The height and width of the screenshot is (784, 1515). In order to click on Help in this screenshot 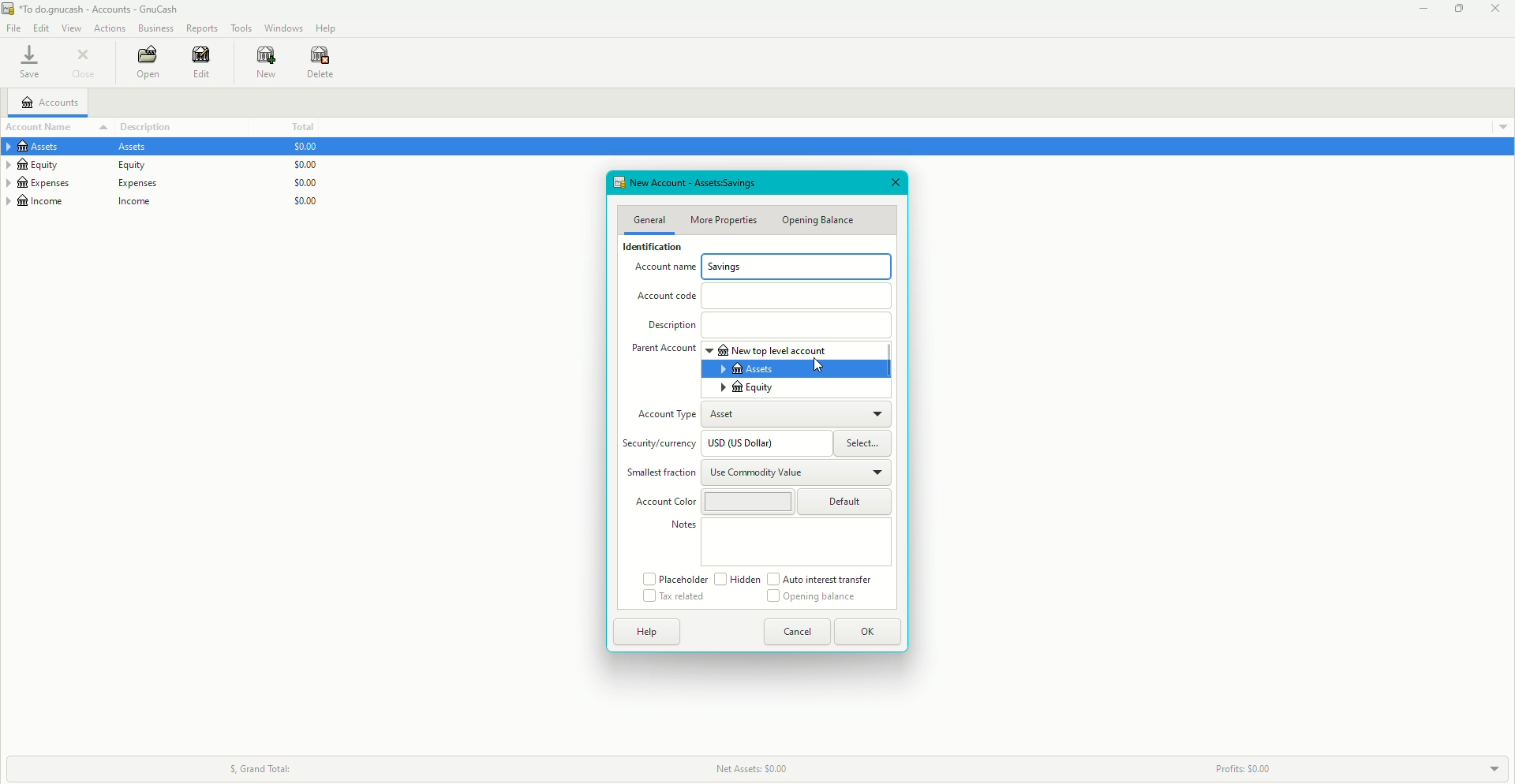, I will do `click(647, 631)`.